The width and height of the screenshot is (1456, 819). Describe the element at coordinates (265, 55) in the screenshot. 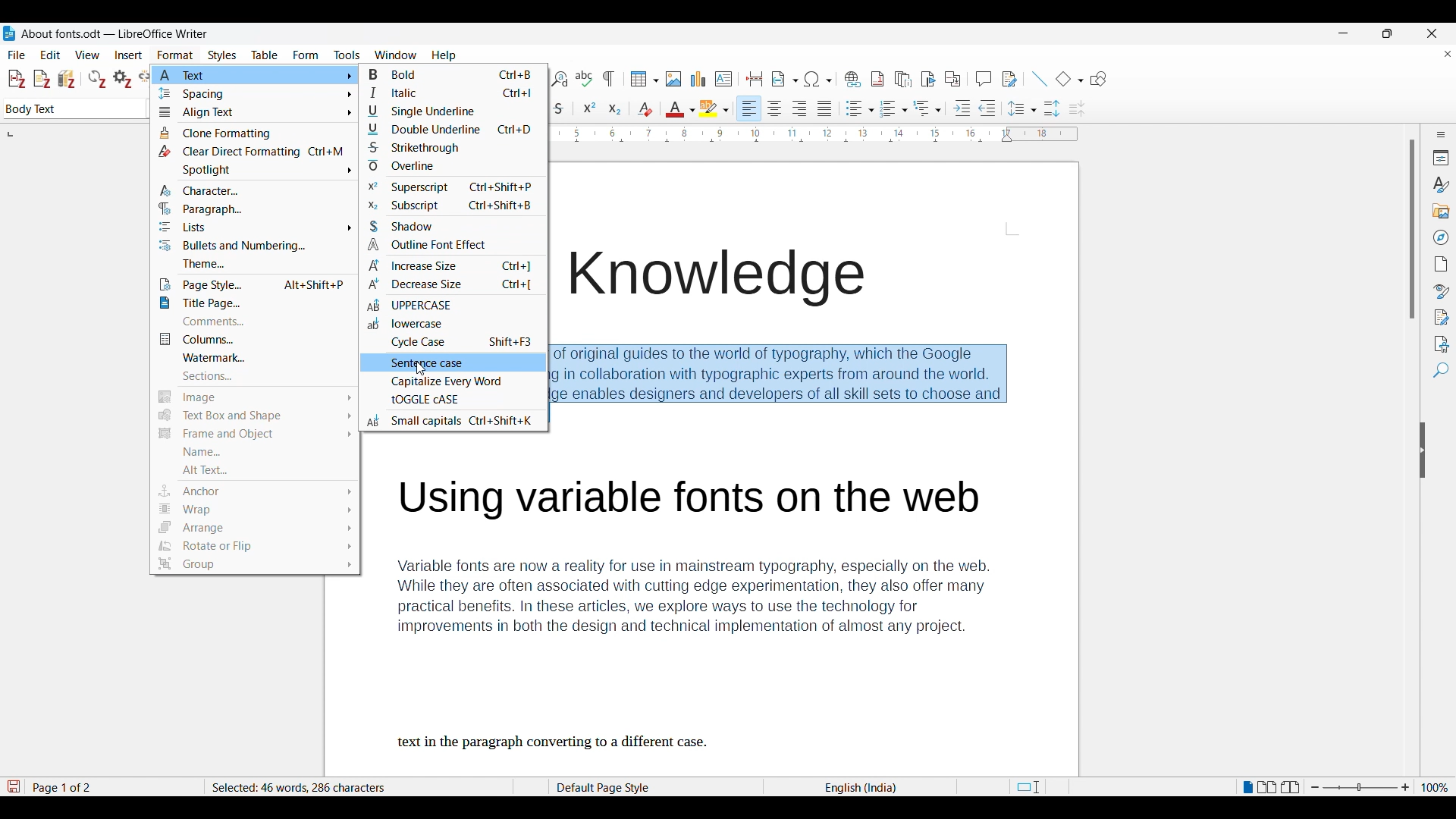

I see `Table menu` at that location.